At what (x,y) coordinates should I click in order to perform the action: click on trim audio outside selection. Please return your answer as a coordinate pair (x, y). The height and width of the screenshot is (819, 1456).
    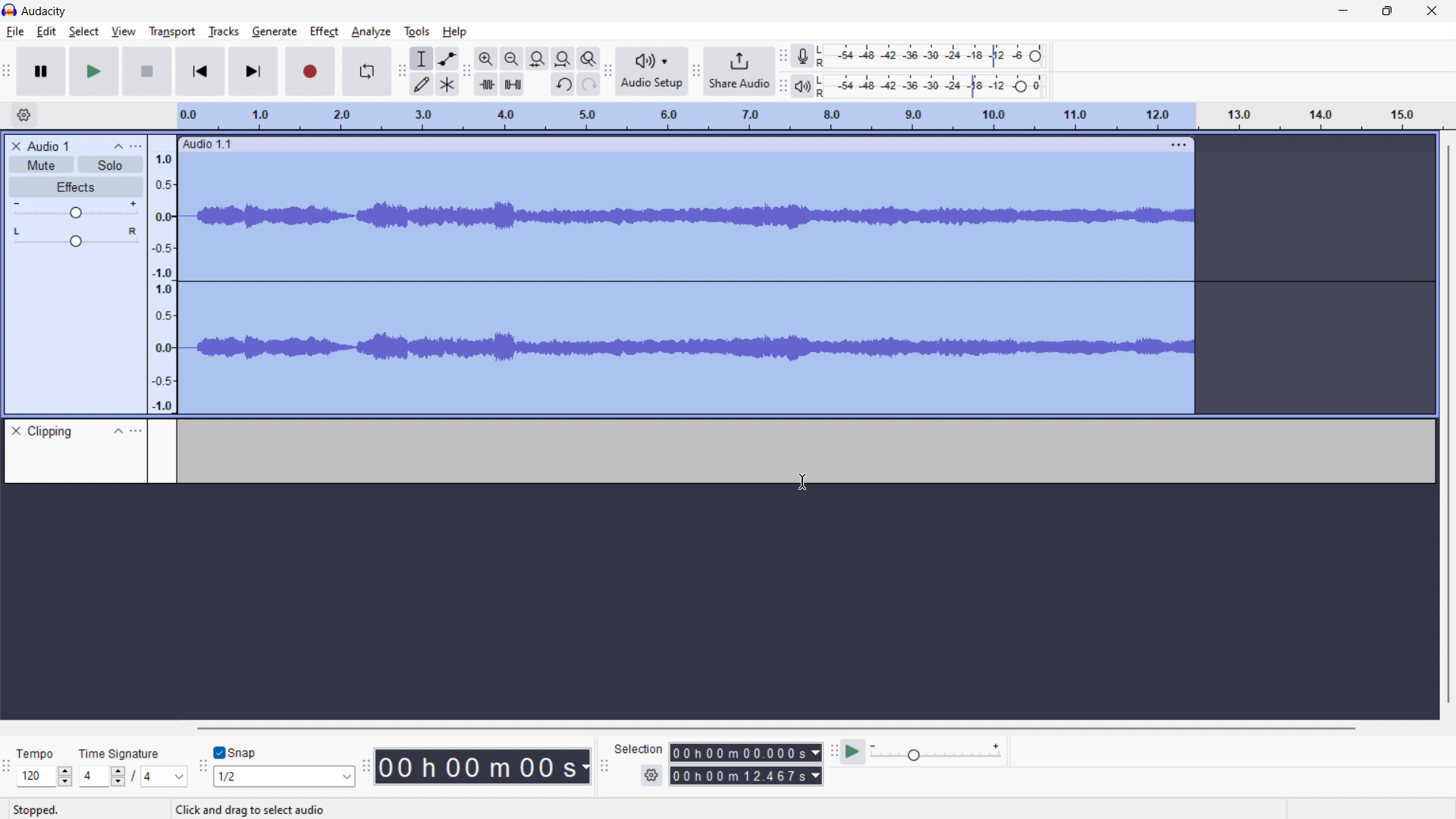
    Looking at the image, I should click on (486, 83).